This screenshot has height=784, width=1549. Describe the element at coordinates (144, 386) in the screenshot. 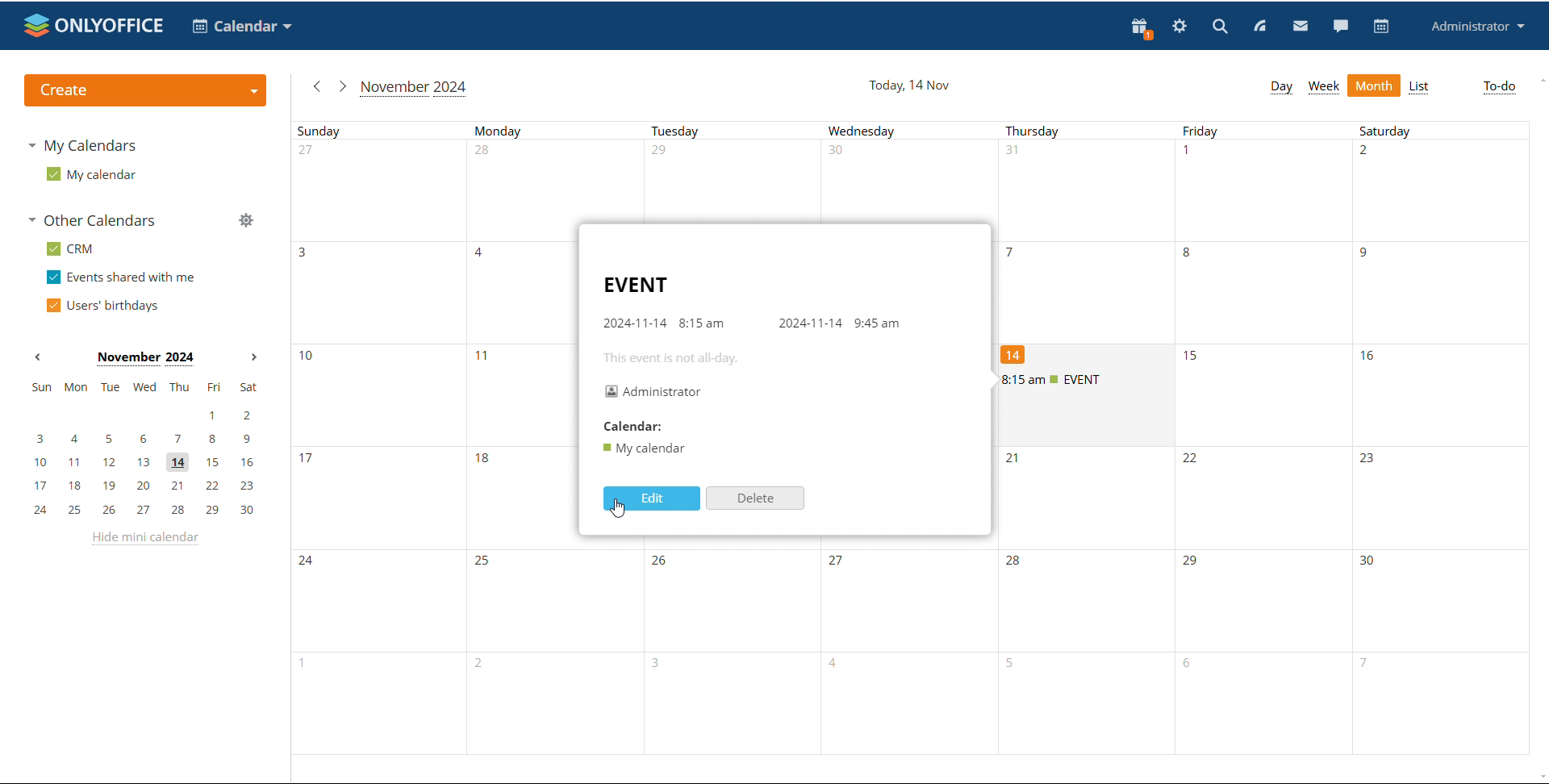

I see `mon, tue, wed, thu, fri, sat, sun` at that location.